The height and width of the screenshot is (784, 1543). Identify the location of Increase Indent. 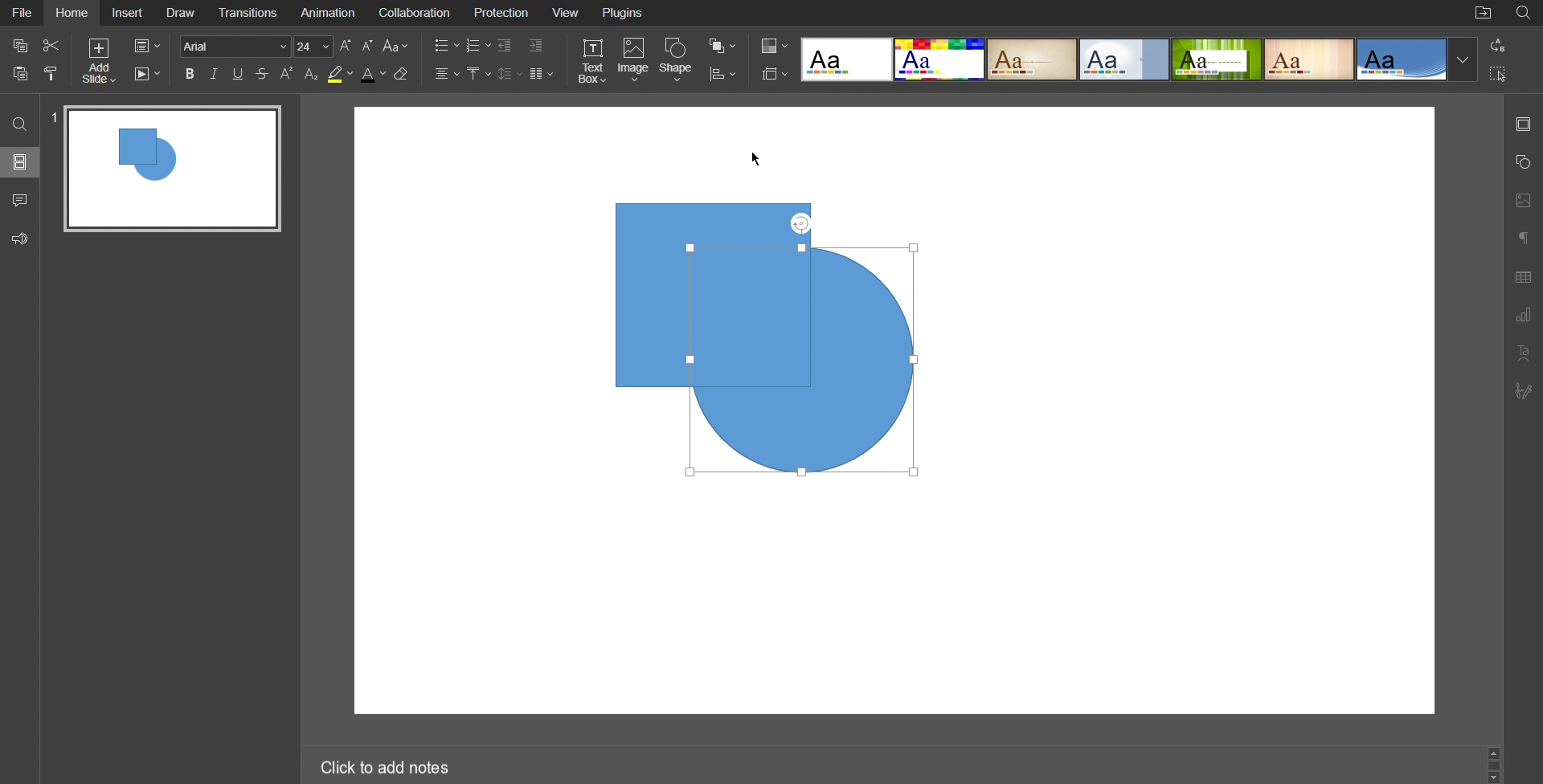
(536, 46).